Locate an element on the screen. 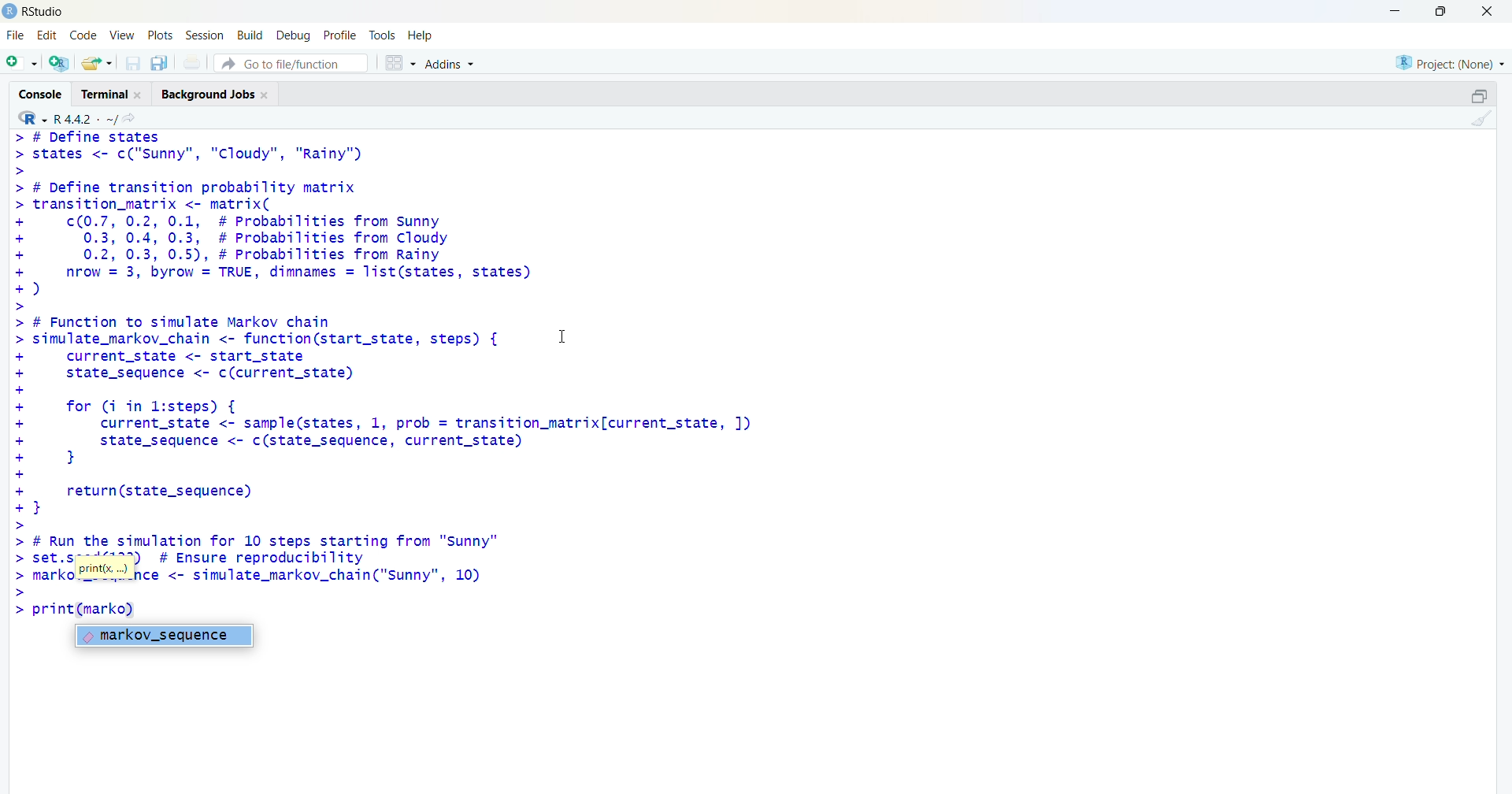  tools is located at coordinates (384, 33).